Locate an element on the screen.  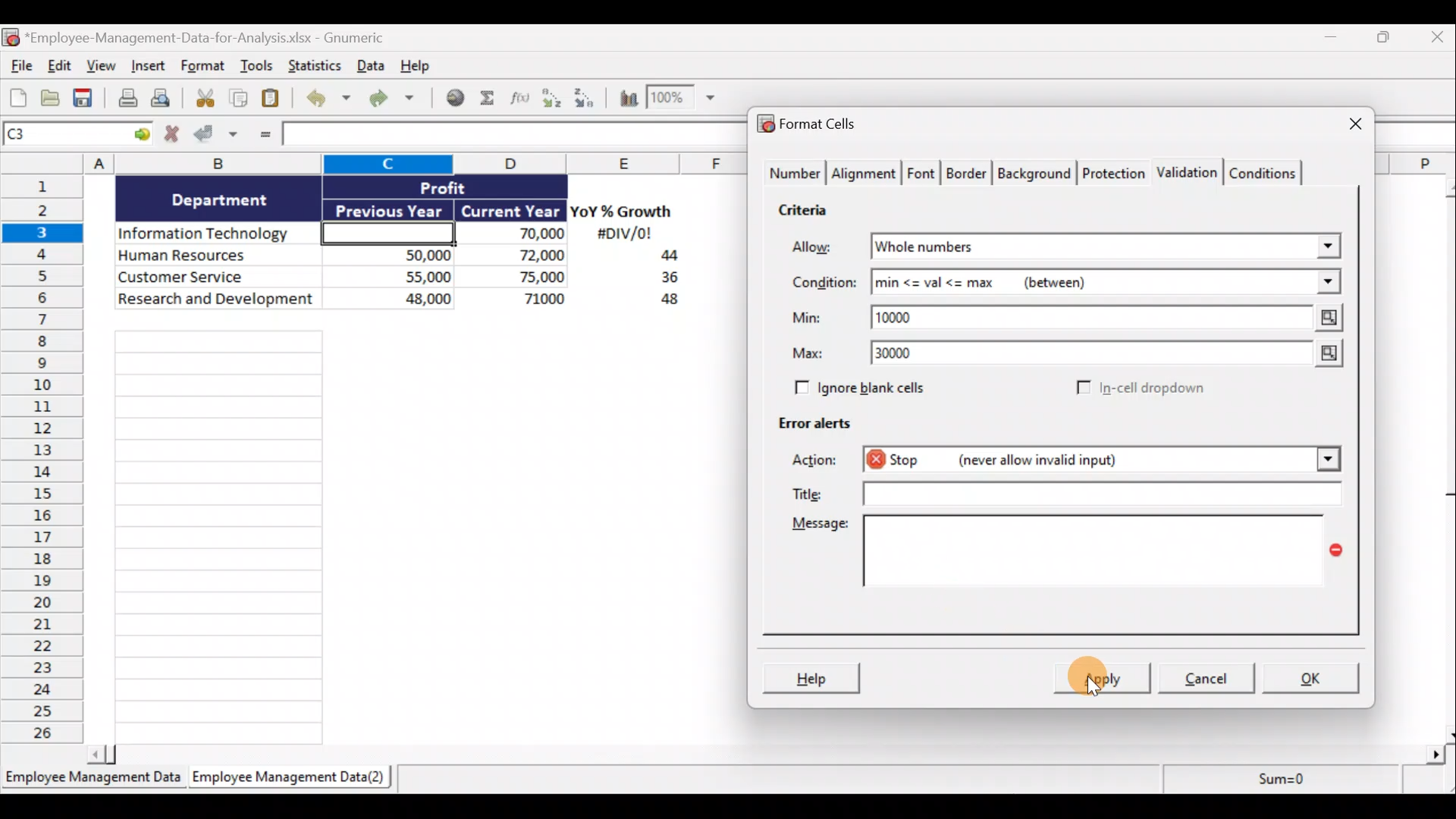
File is located at coordinates (18, 67).